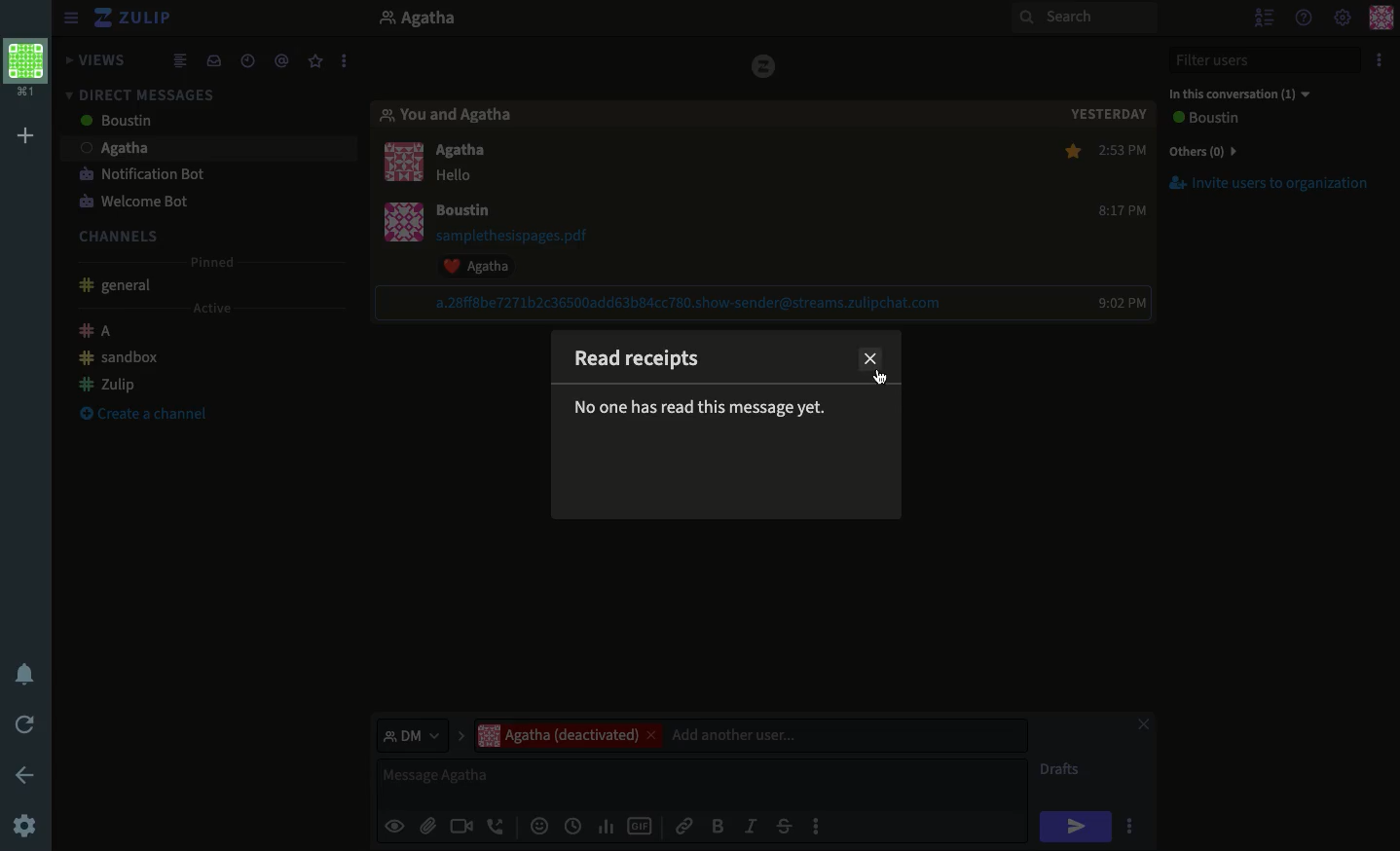  I want to click on A, so click(99, 333).